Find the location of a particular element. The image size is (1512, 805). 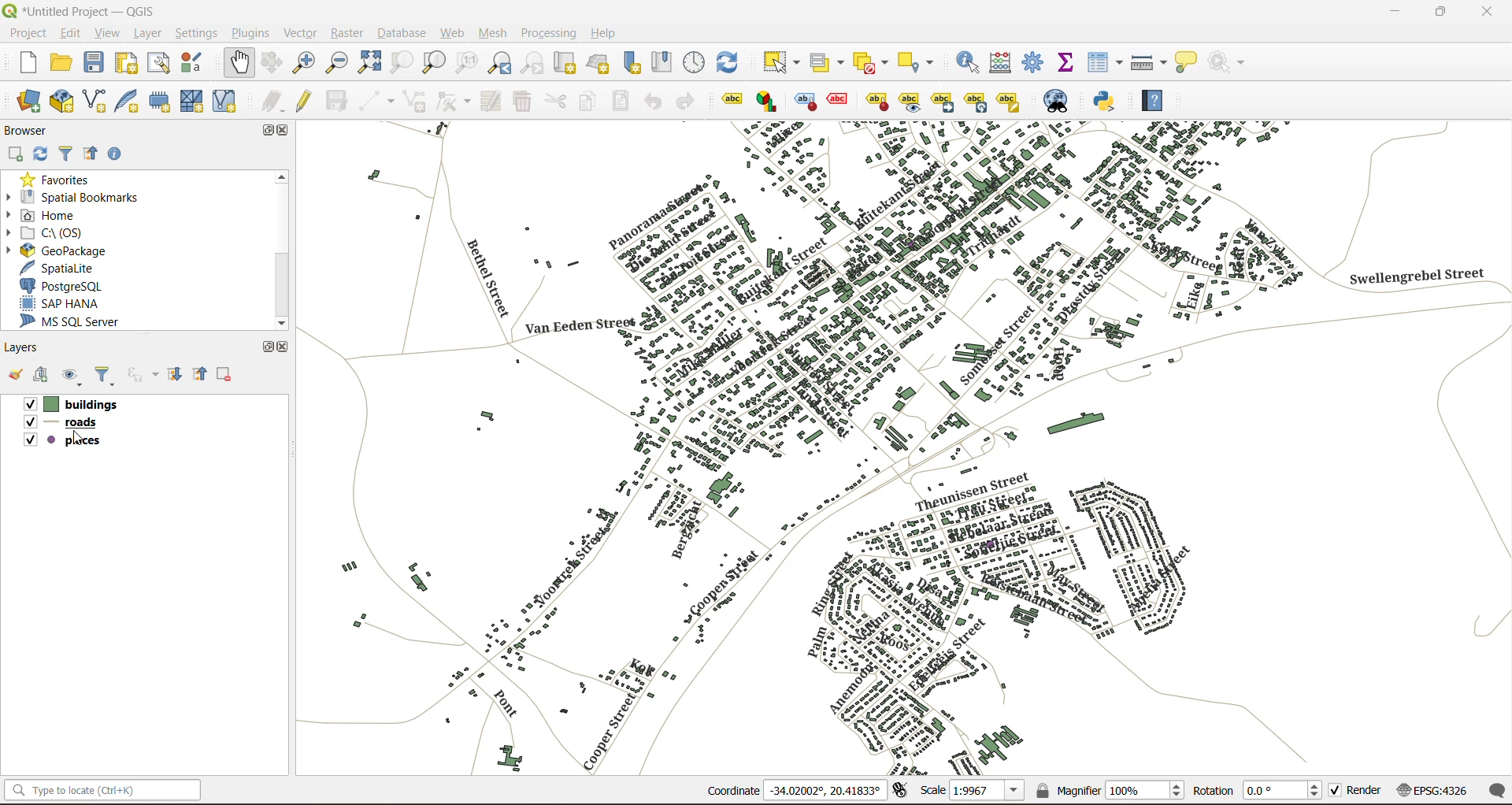

manage map is located at coordinates (74, 376).